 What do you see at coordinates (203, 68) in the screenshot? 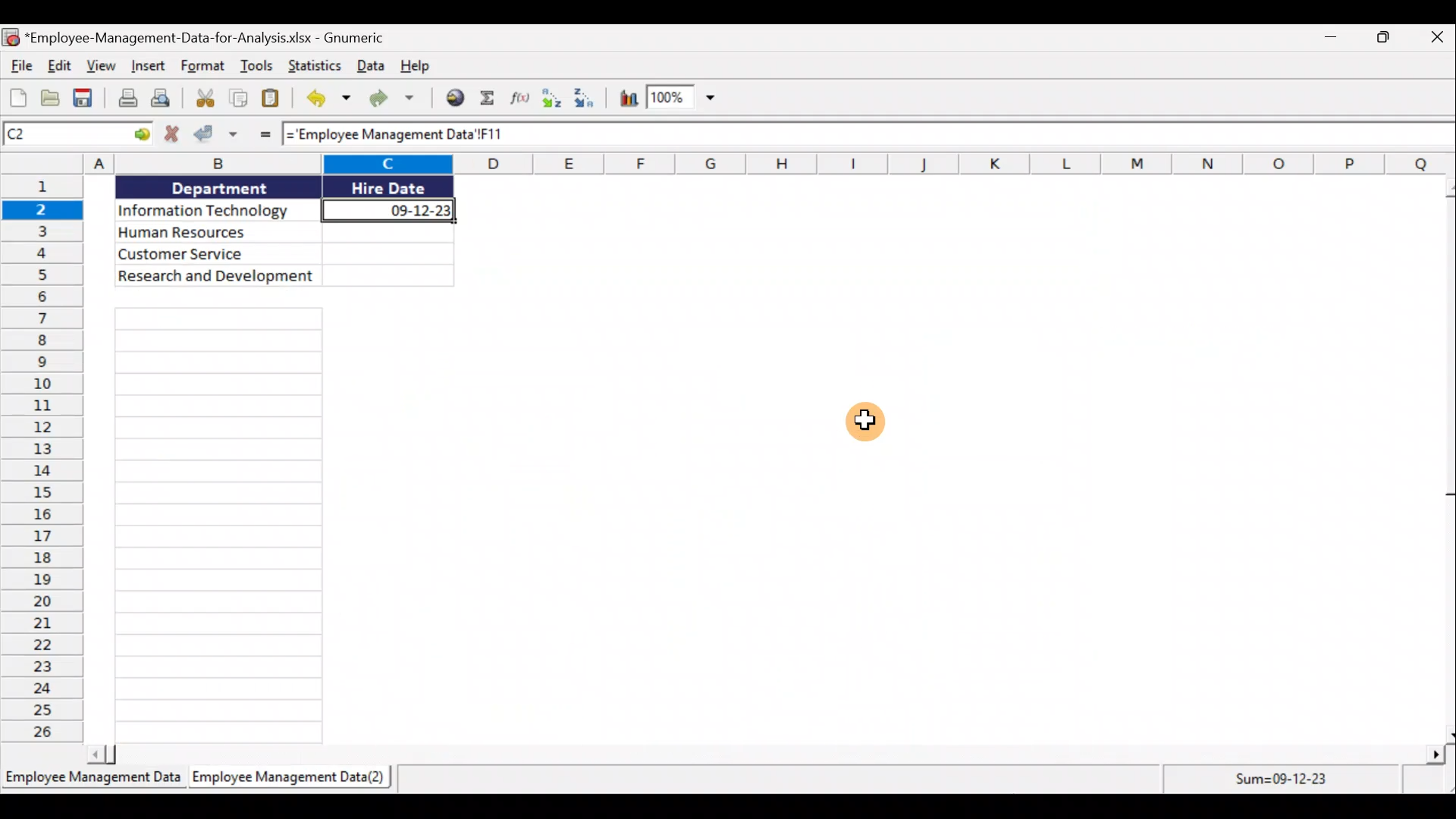
I see `Format` at bounding box center [203, 68].